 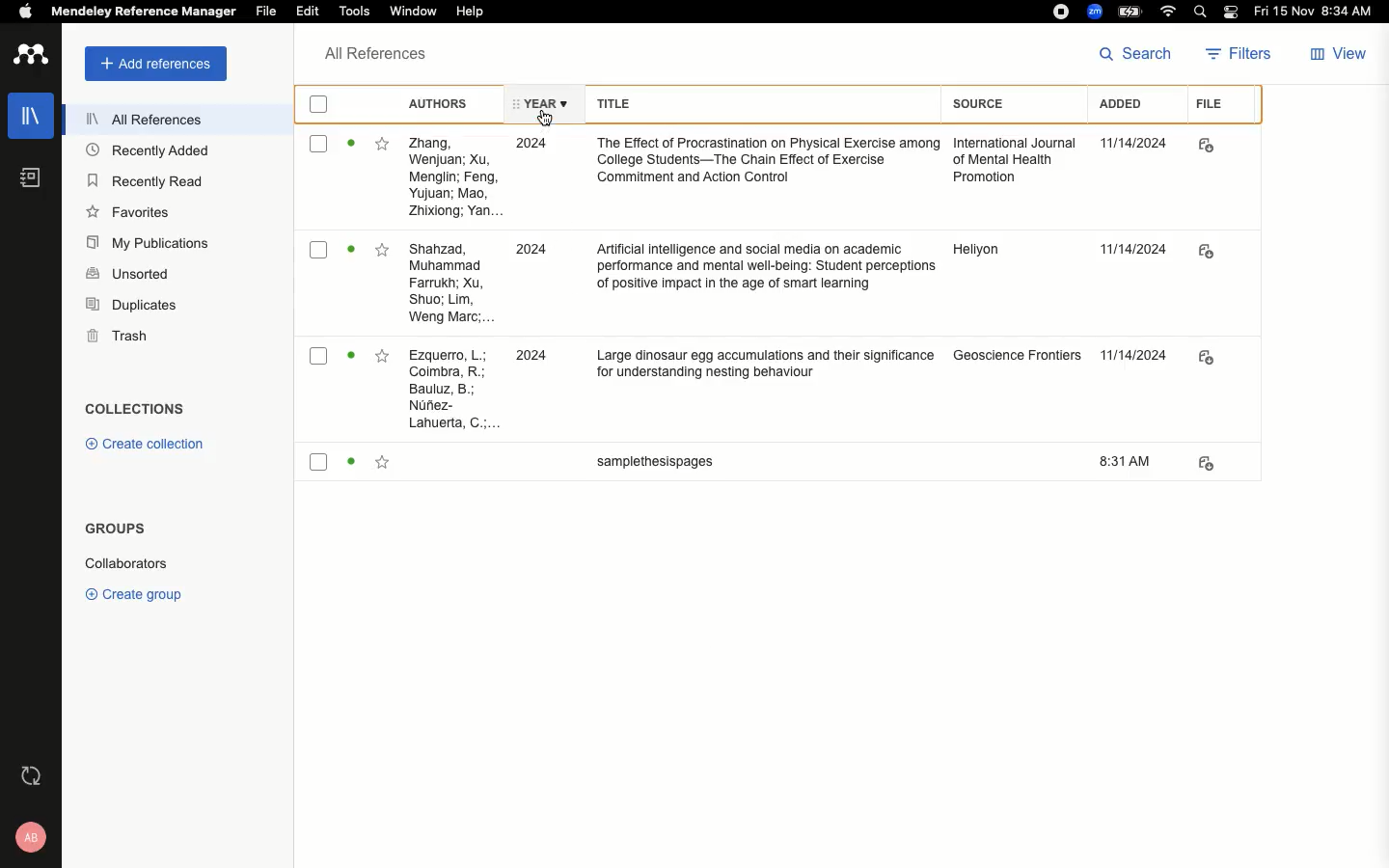 I want to click on Search, so click(x=1131, y=56).